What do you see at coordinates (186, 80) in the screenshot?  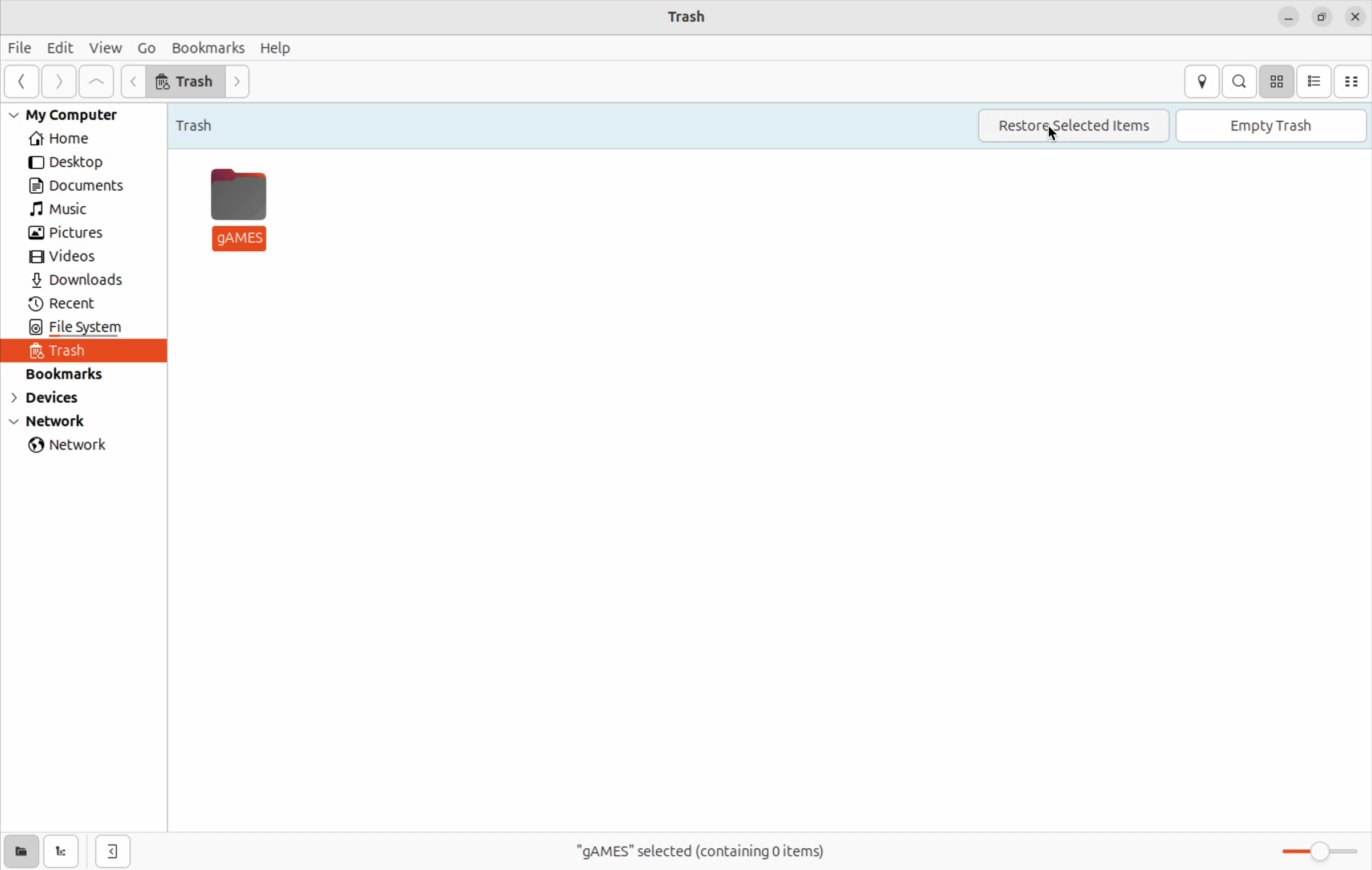 I see `trash` at bounding box center [186, 80].